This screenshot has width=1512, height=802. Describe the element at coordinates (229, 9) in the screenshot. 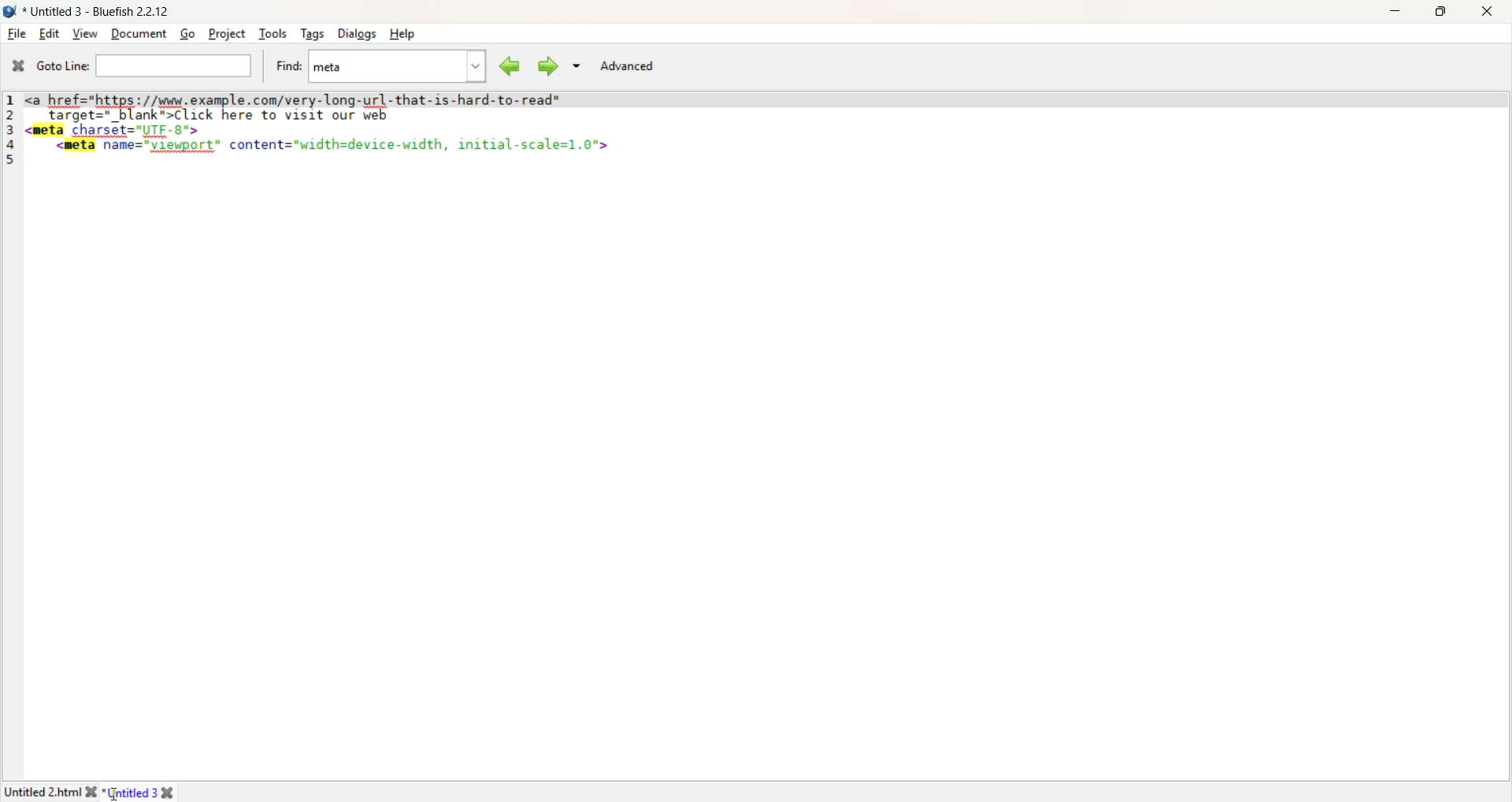

I see `Untitled 2.html (C:\Users\hp\Desktop\HTML\Untitled 2.html) - Bluefish 2.2.12` at that location.